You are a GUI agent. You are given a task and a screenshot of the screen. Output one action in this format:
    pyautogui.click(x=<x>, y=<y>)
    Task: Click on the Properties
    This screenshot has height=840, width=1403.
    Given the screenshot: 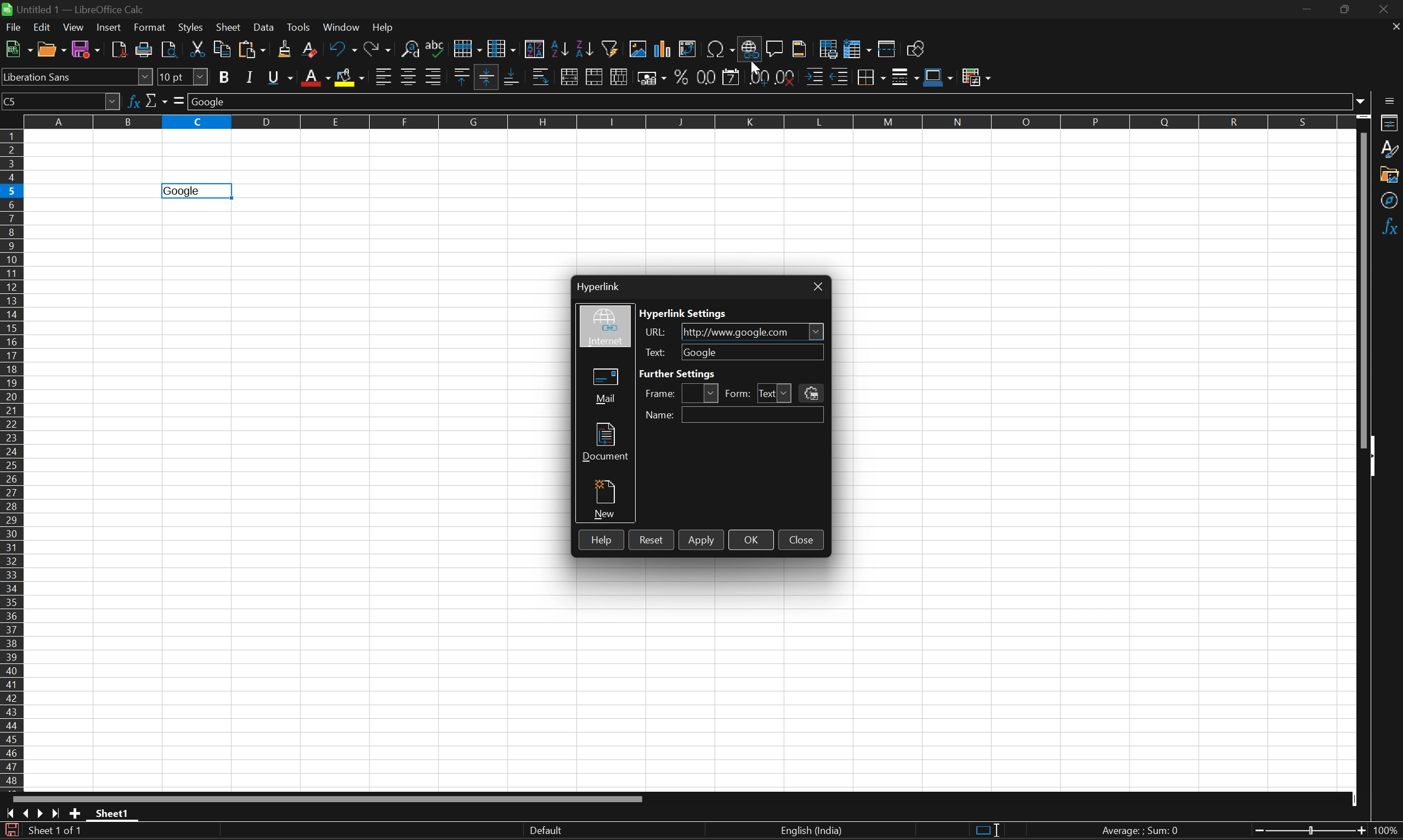 What is the action you would take?
    pyautogui.click(x=1391, y=123)
    